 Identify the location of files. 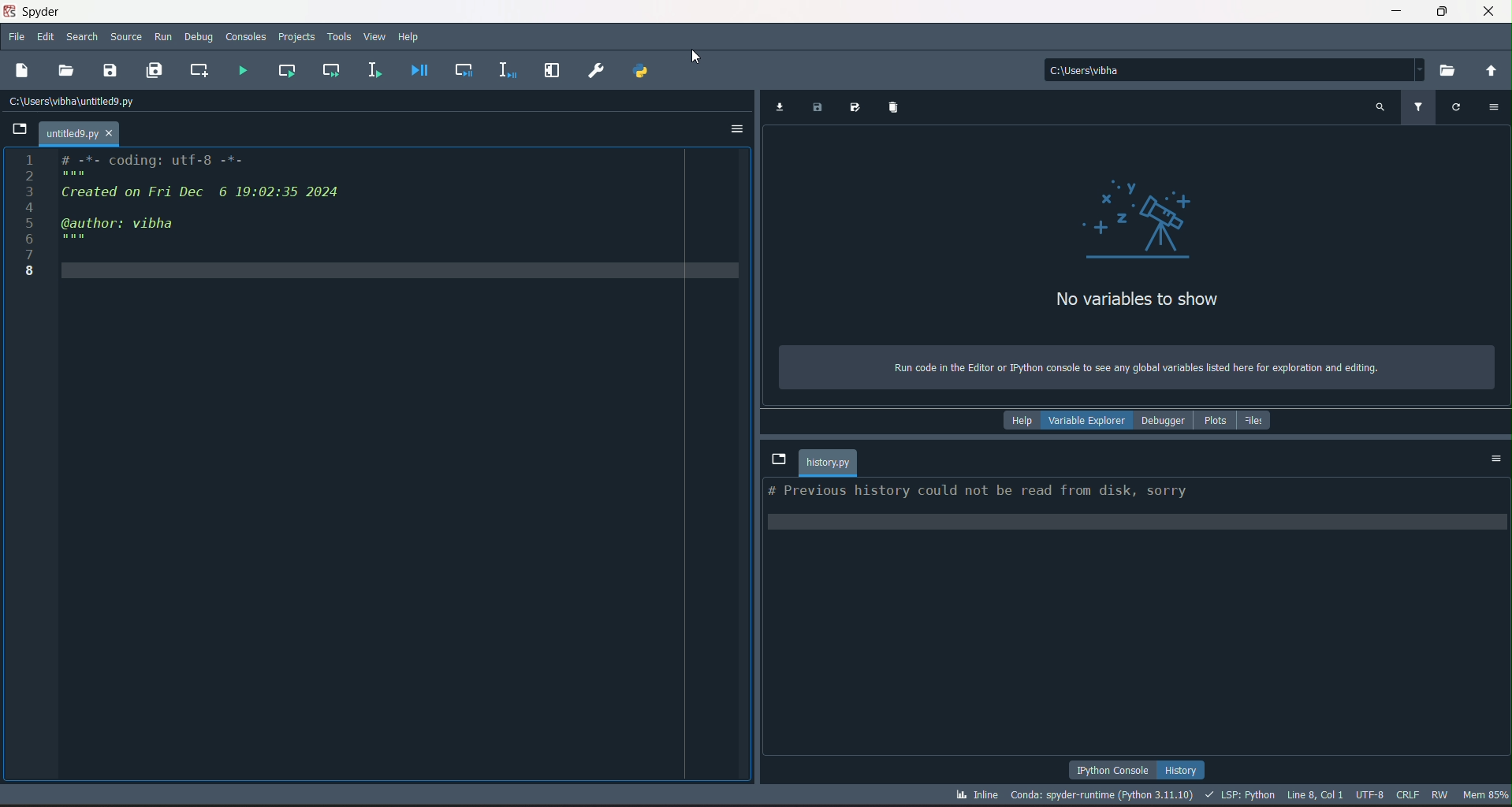
(1258, 419).